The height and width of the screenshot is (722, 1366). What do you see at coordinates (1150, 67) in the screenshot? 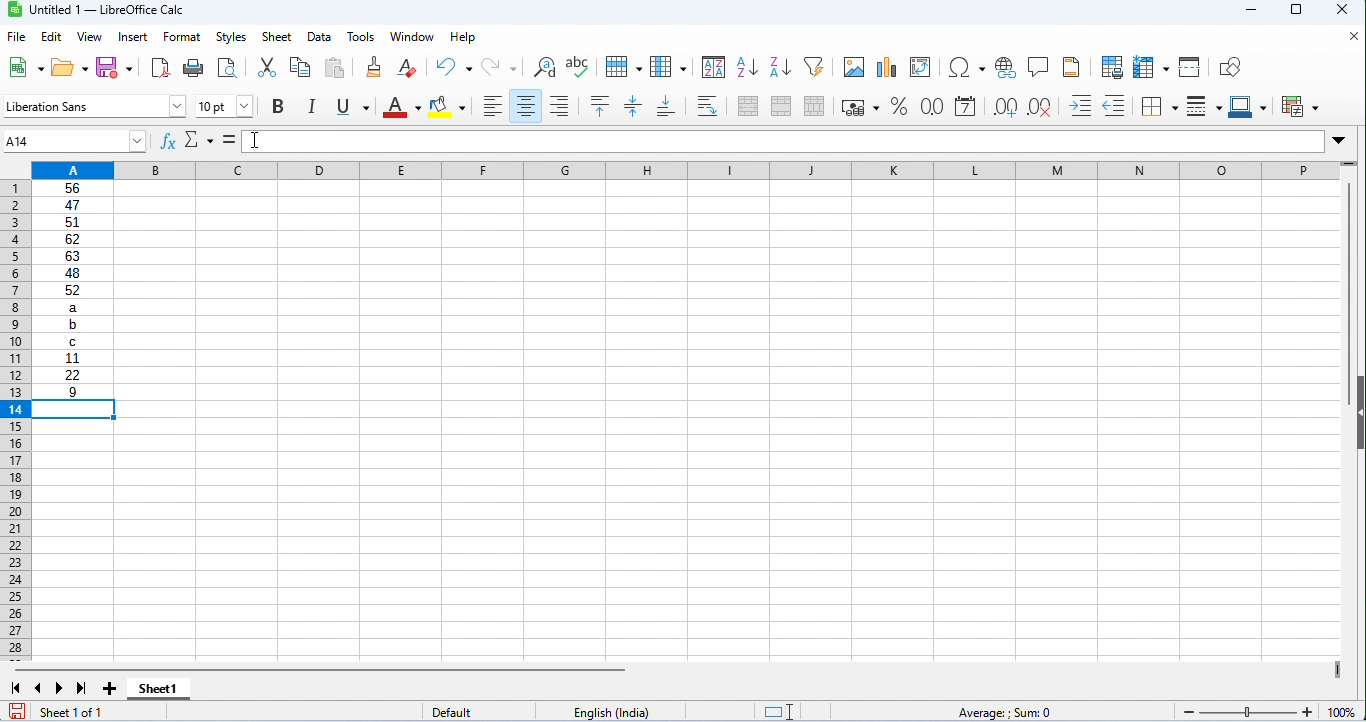
I see `freeze rows and columns` at bounding box center [1150, 67].